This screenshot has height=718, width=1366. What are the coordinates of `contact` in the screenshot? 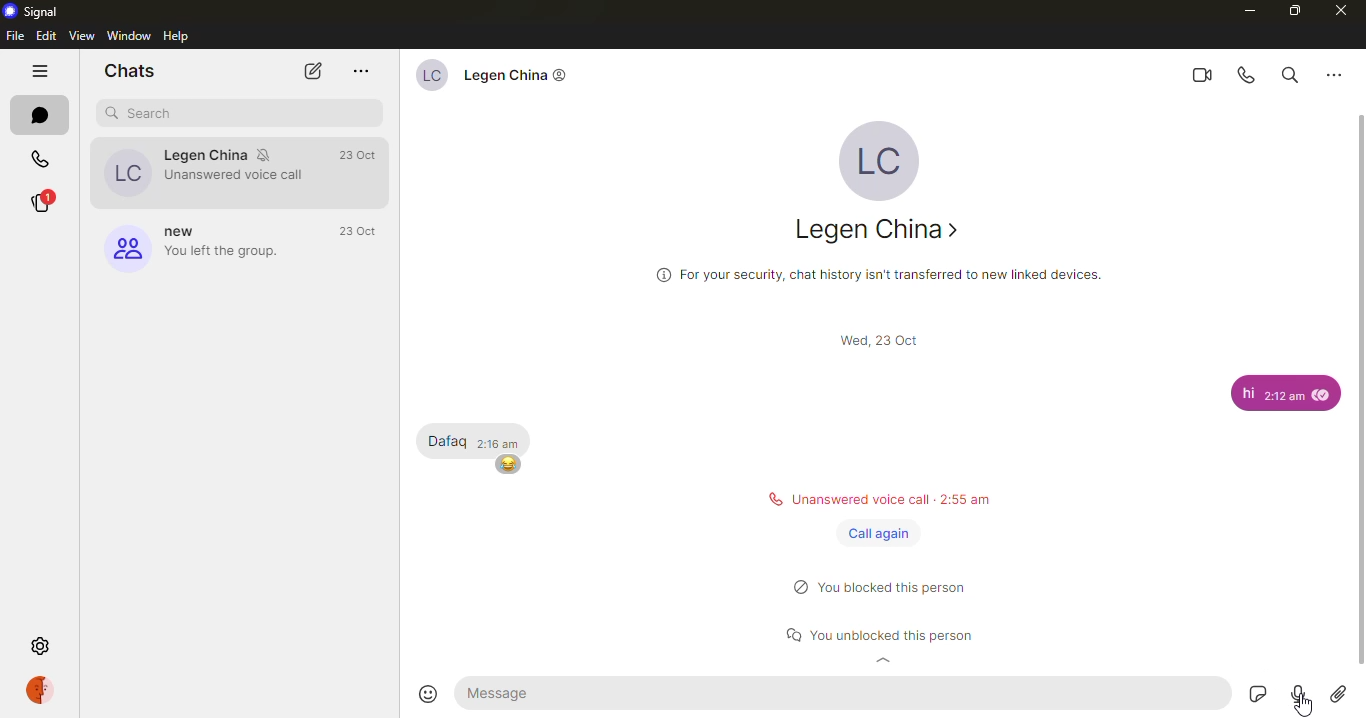 It's located at (238, 153).